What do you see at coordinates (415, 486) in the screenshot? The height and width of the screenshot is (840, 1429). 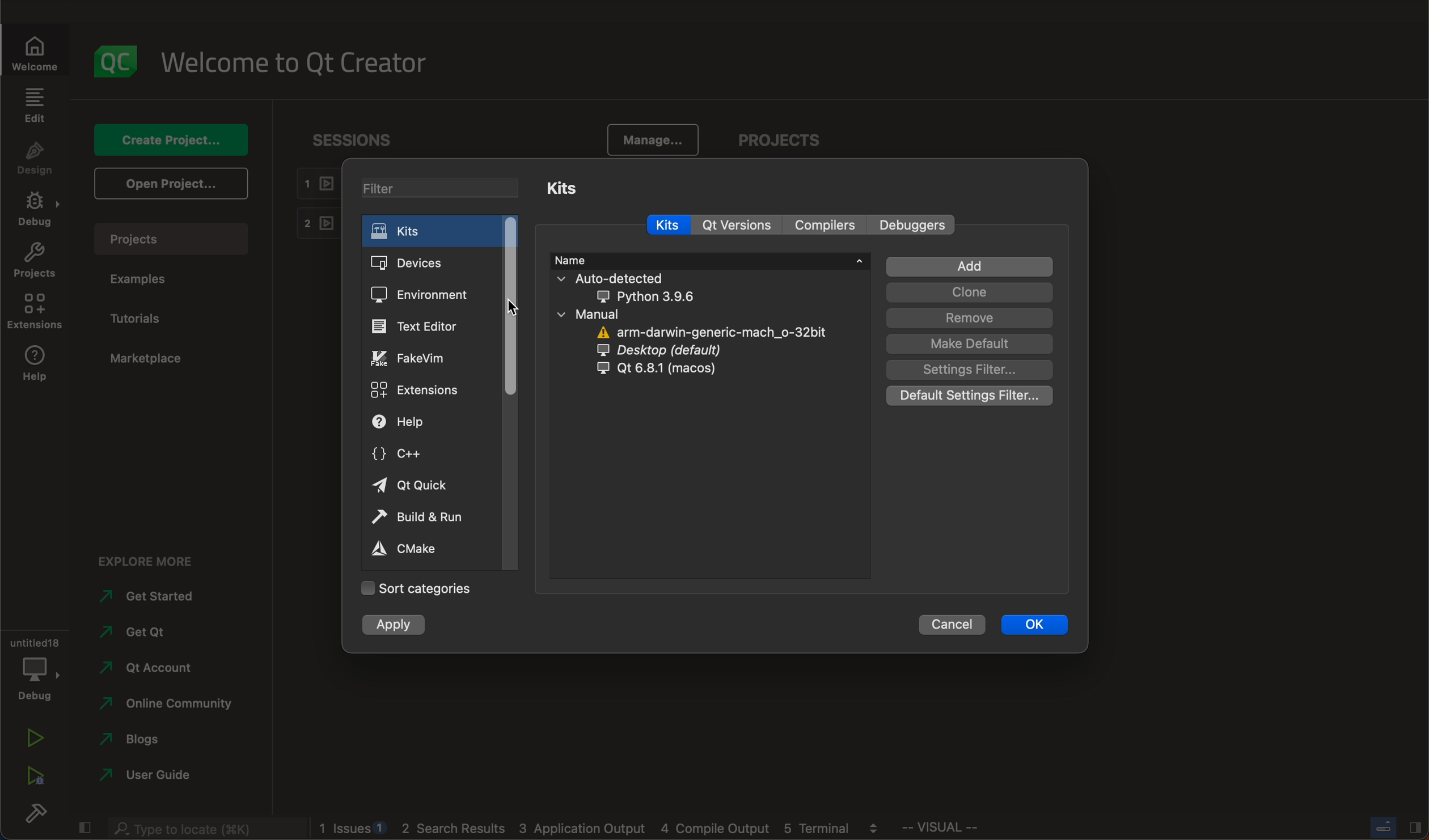 I see `qt quick` at bounding box center [415, 486].